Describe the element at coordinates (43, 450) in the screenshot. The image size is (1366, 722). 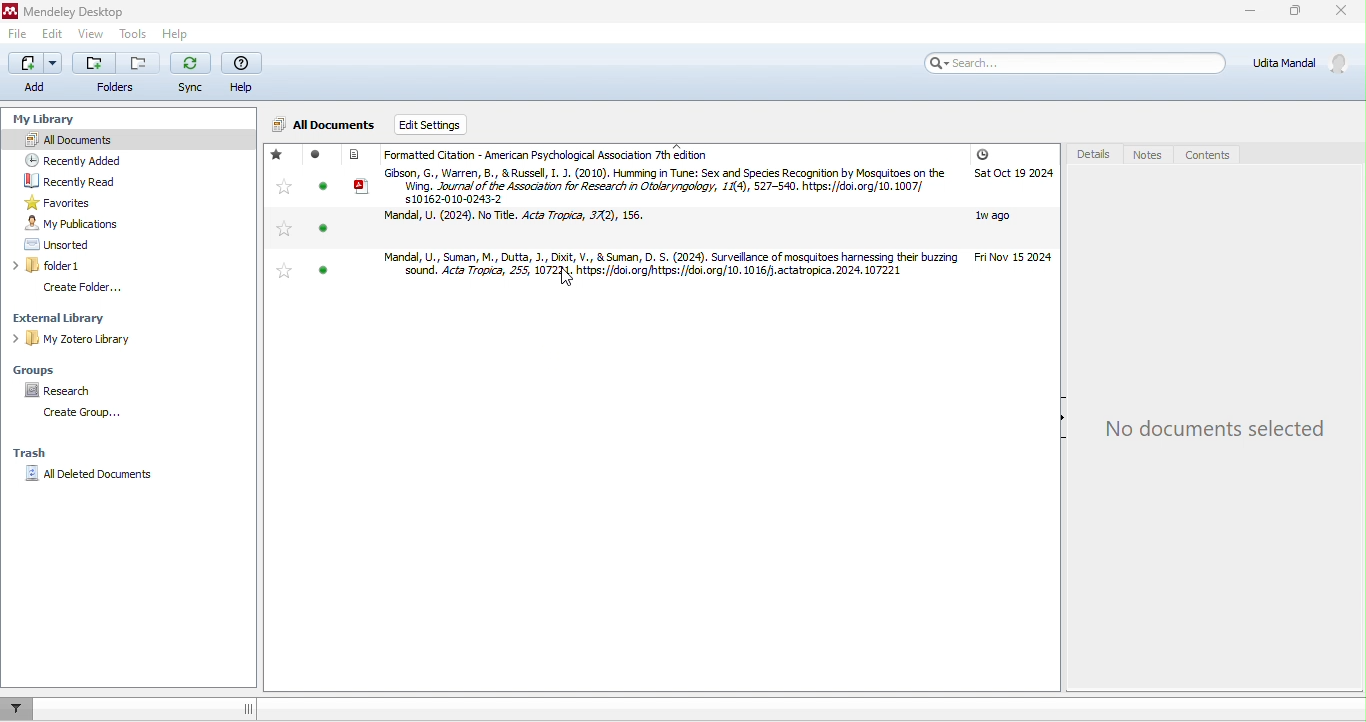
I see `trash` at that location.